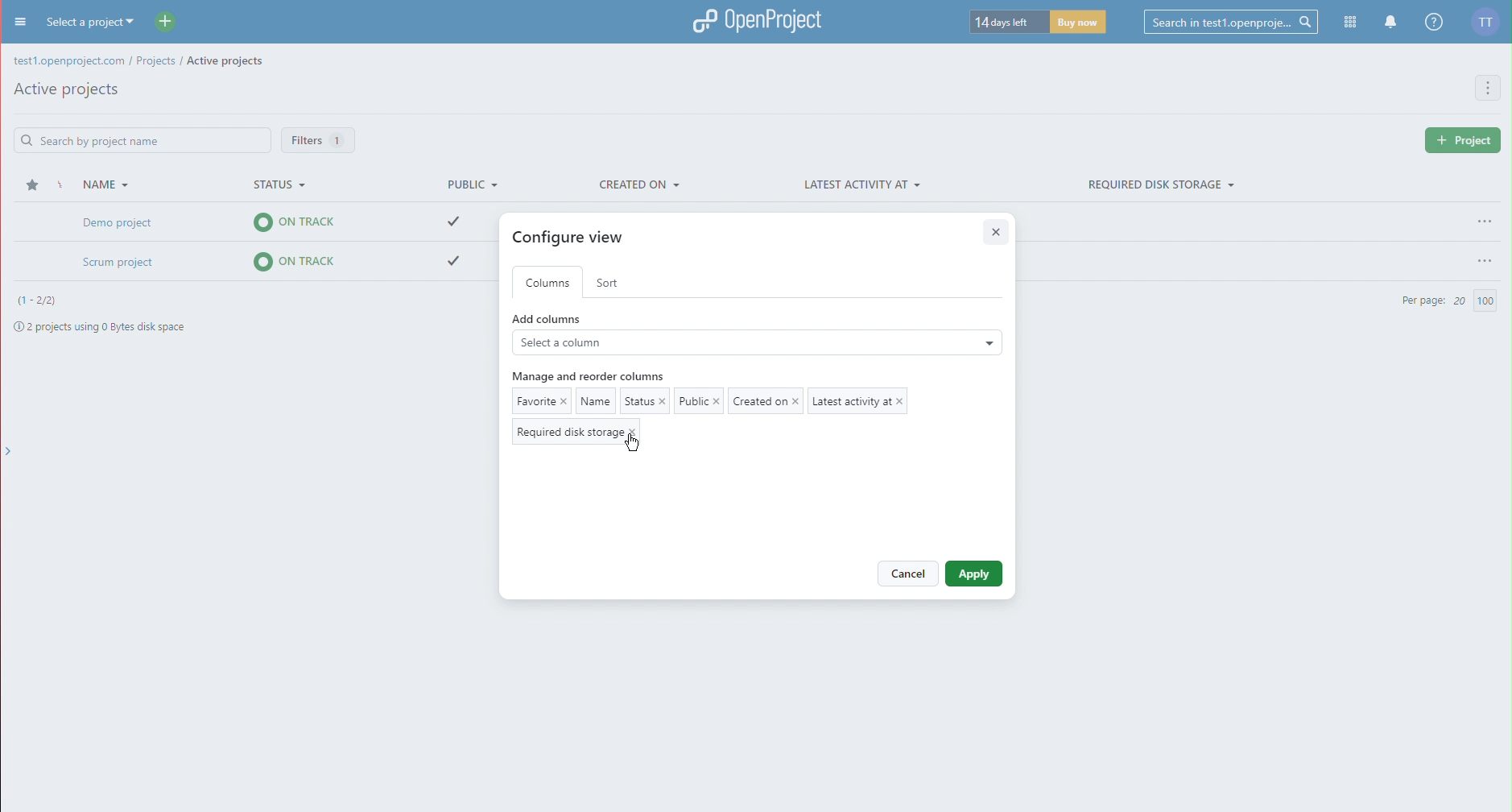 The width and height of the screenshot is (1512, 812). I want to click on Cursor, so click(632, 447).